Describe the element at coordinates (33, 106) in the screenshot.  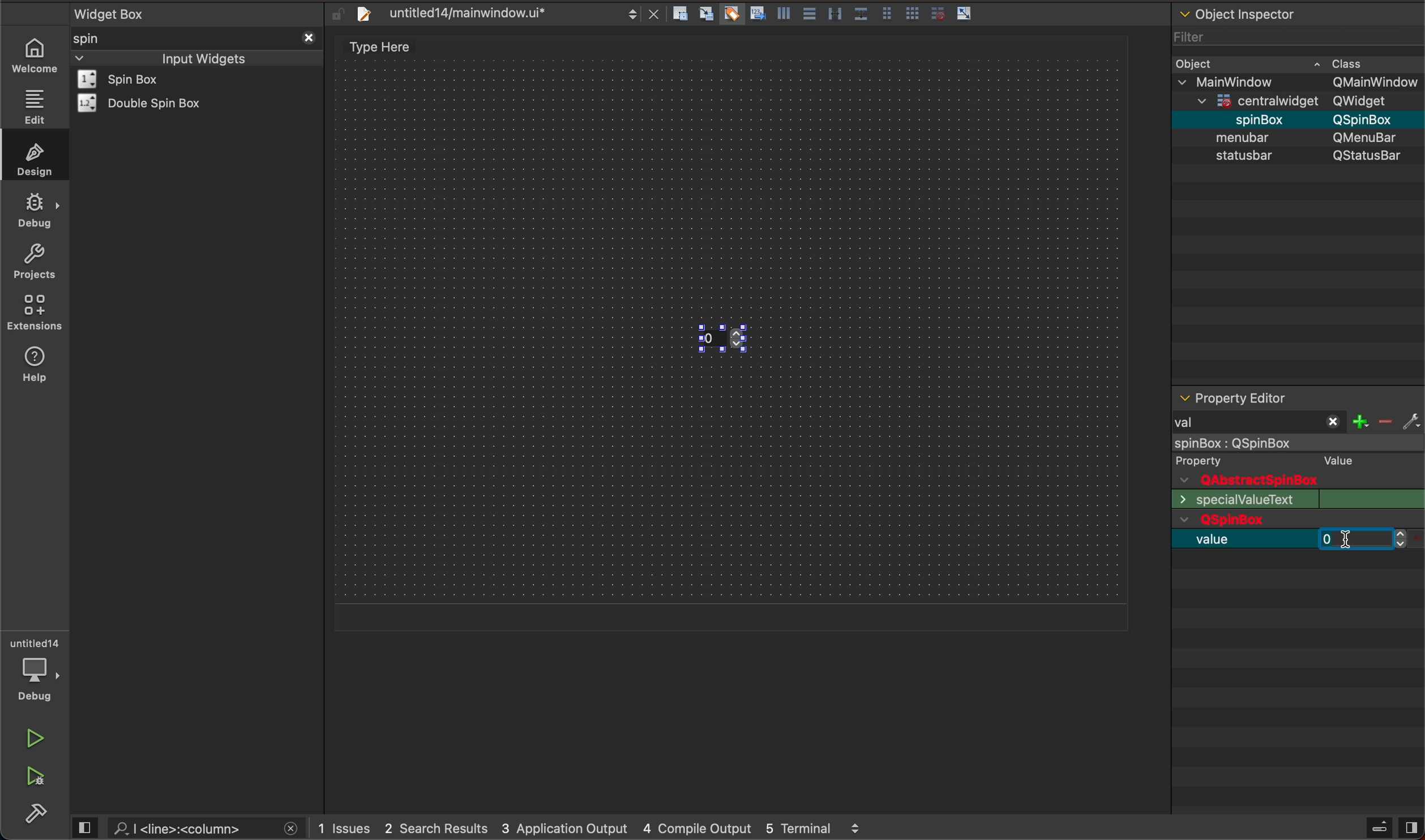
I see `edit` at that location.